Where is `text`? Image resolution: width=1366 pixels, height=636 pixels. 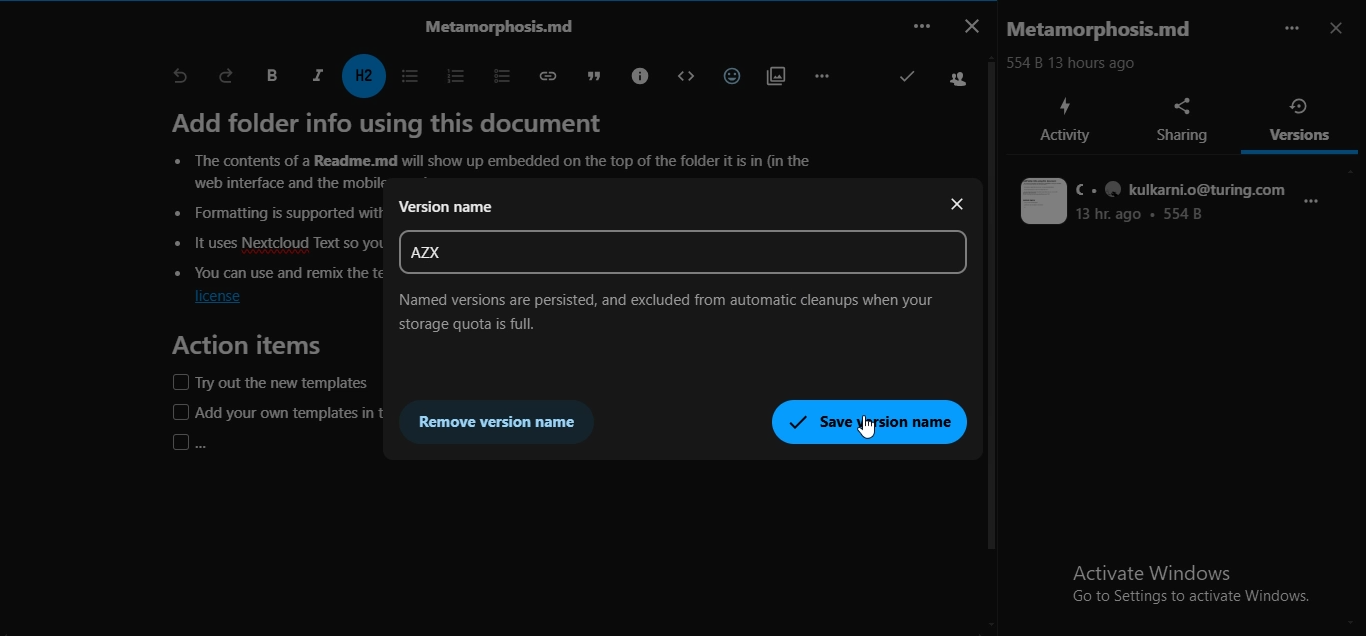
text is located at coordinates (1106, 30).